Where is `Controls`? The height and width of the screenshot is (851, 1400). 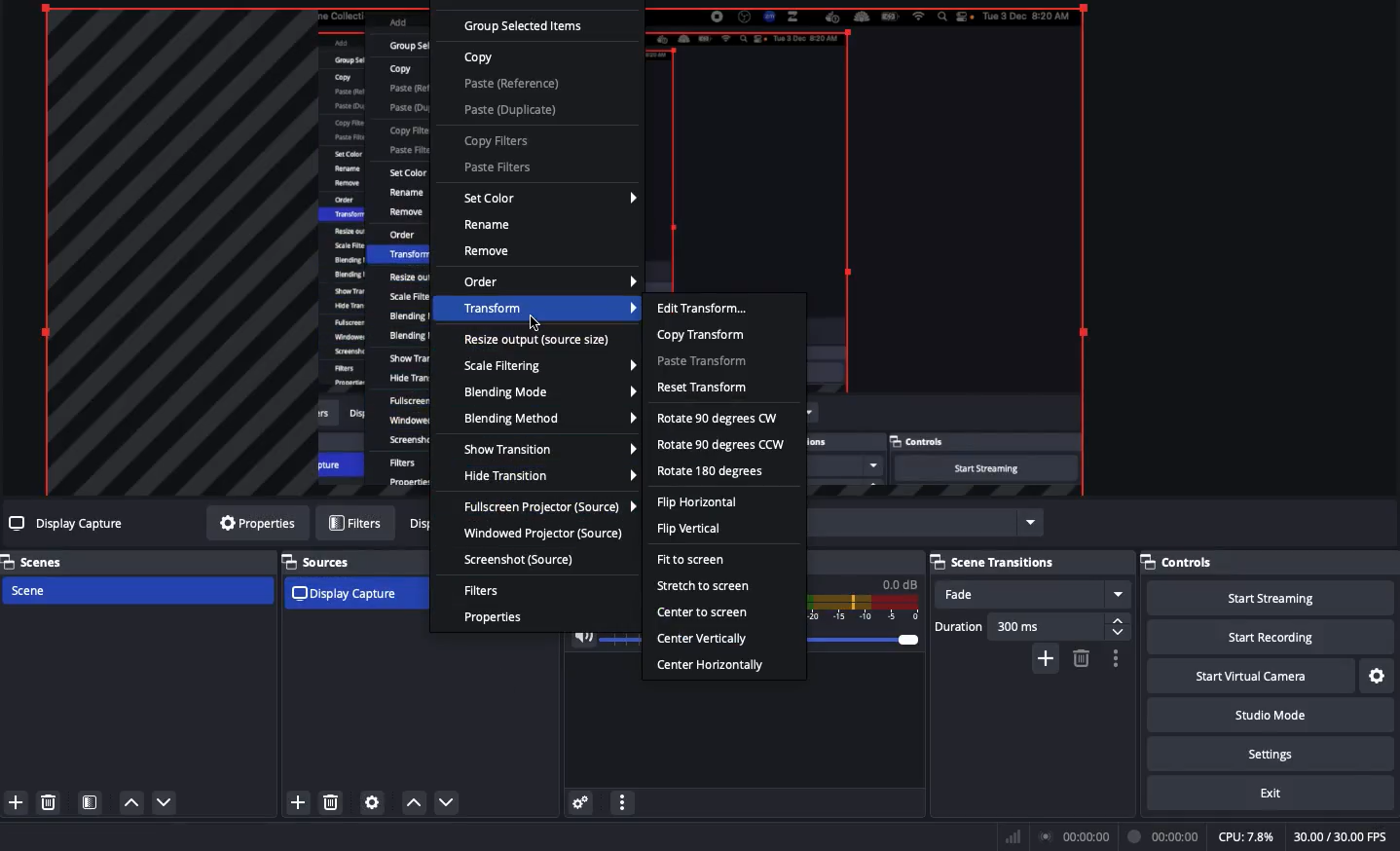
Controls is located at coordinates (1181, 559).